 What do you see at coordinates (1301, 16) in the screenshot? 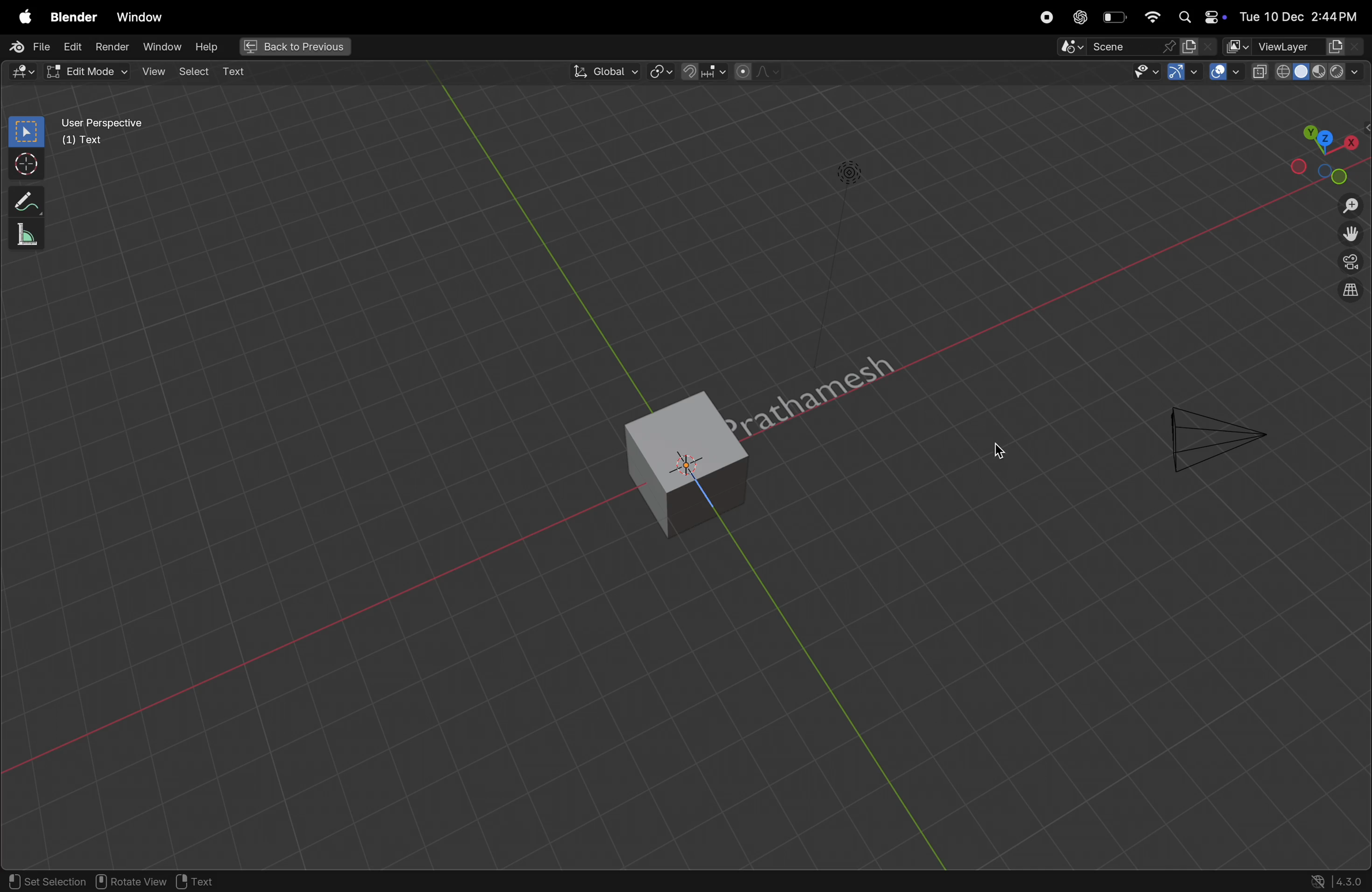
I see `dateand time` at bounding box center [1301, 16].